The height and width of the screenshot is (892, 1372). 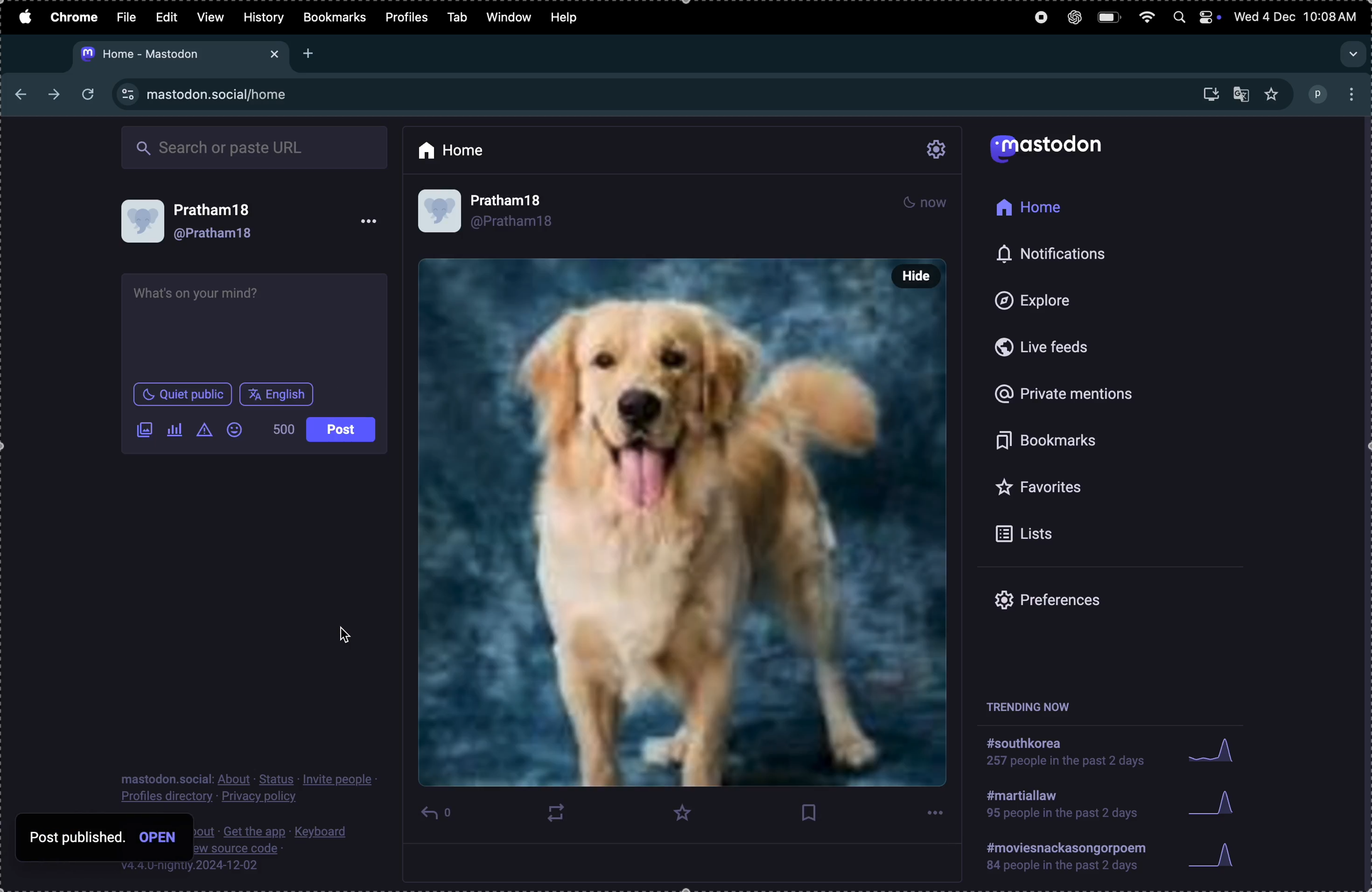 I want to click on Chrome, so click(x=72, y=17).